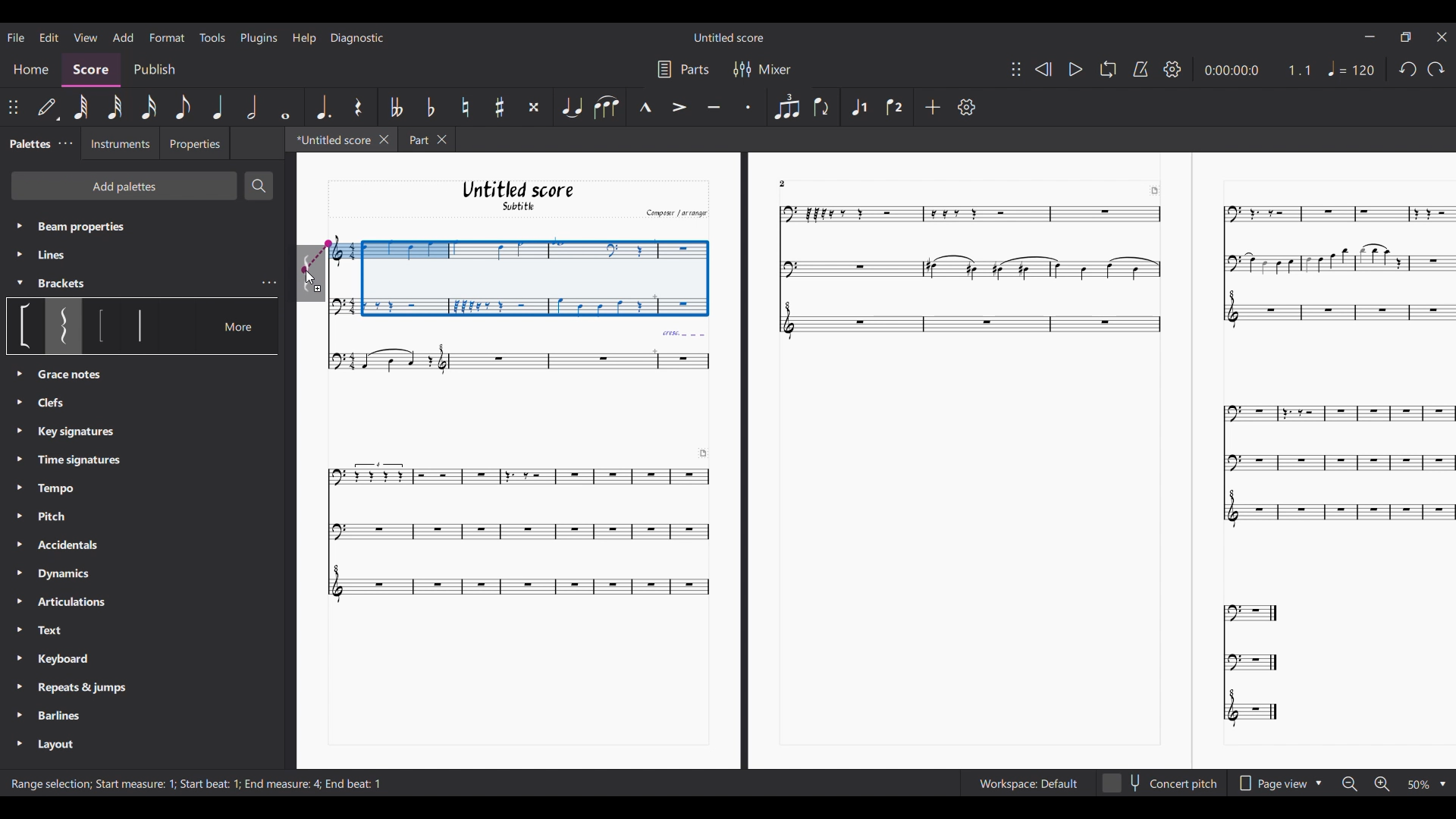  I want to click on Add, so click(932, 106).